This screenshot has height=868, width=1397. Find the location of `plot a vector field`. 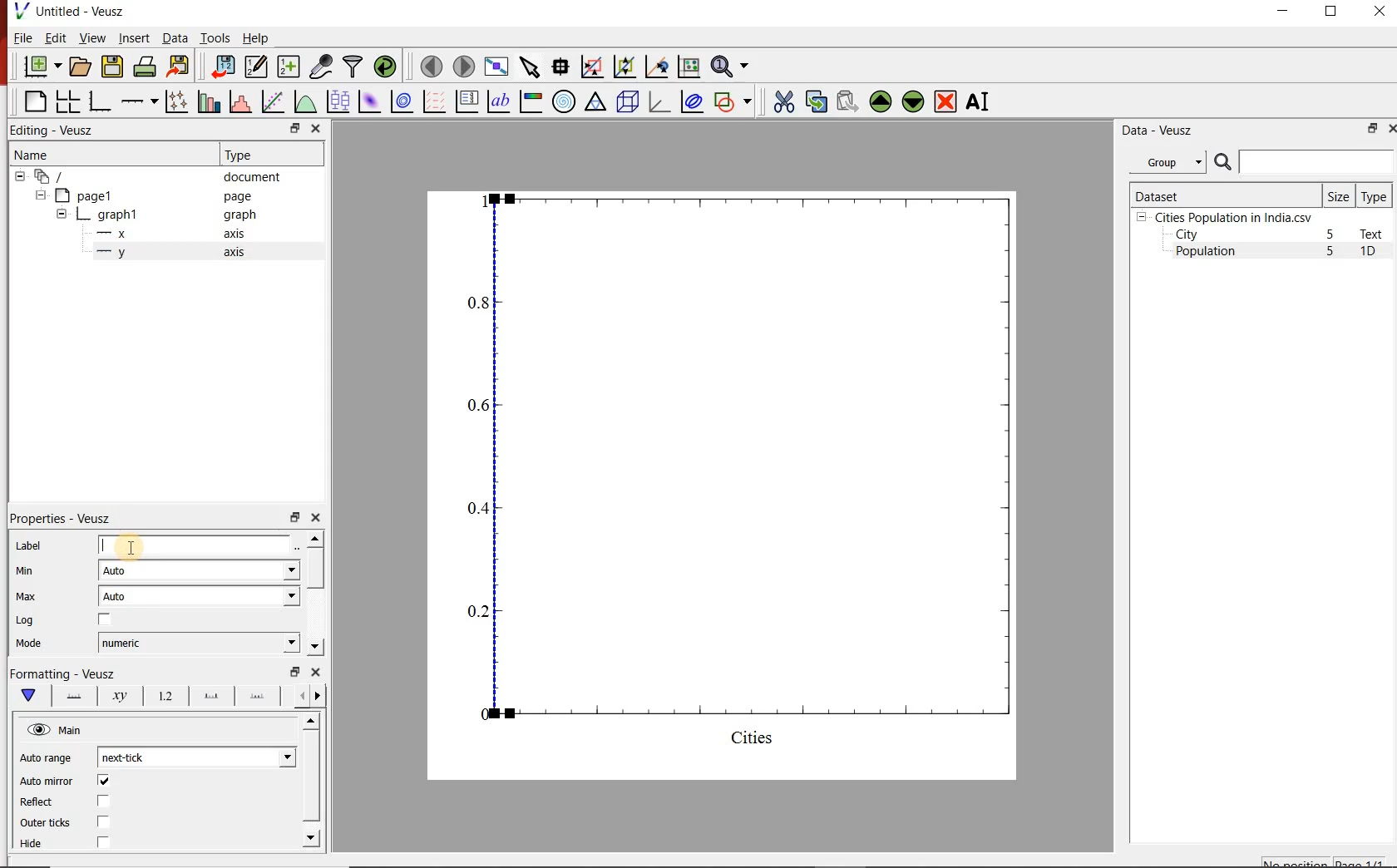

plot a vector field is located at coordinates (432, 101).